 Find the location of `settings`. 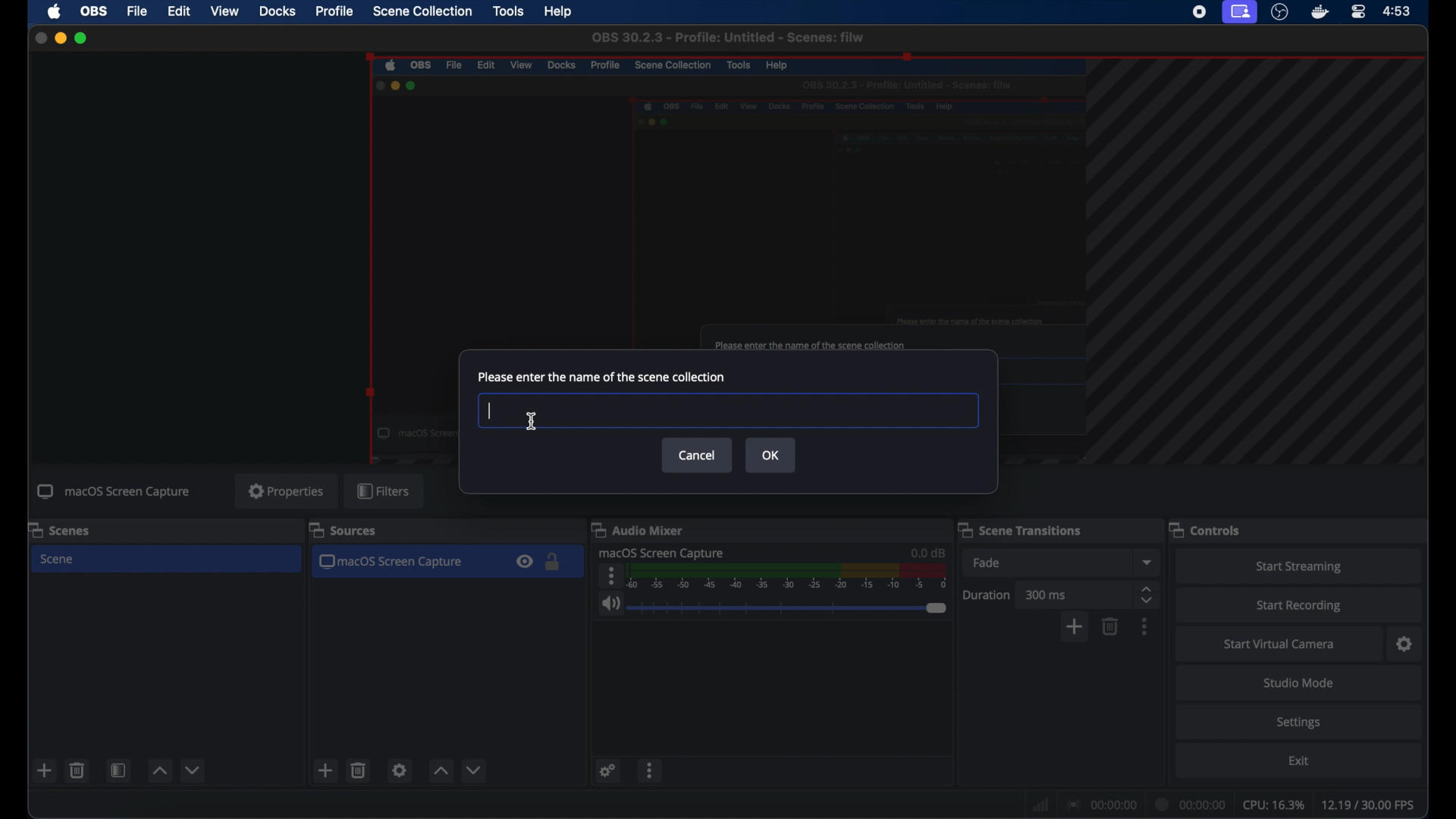

settings is located at coordinates (1303, 723).